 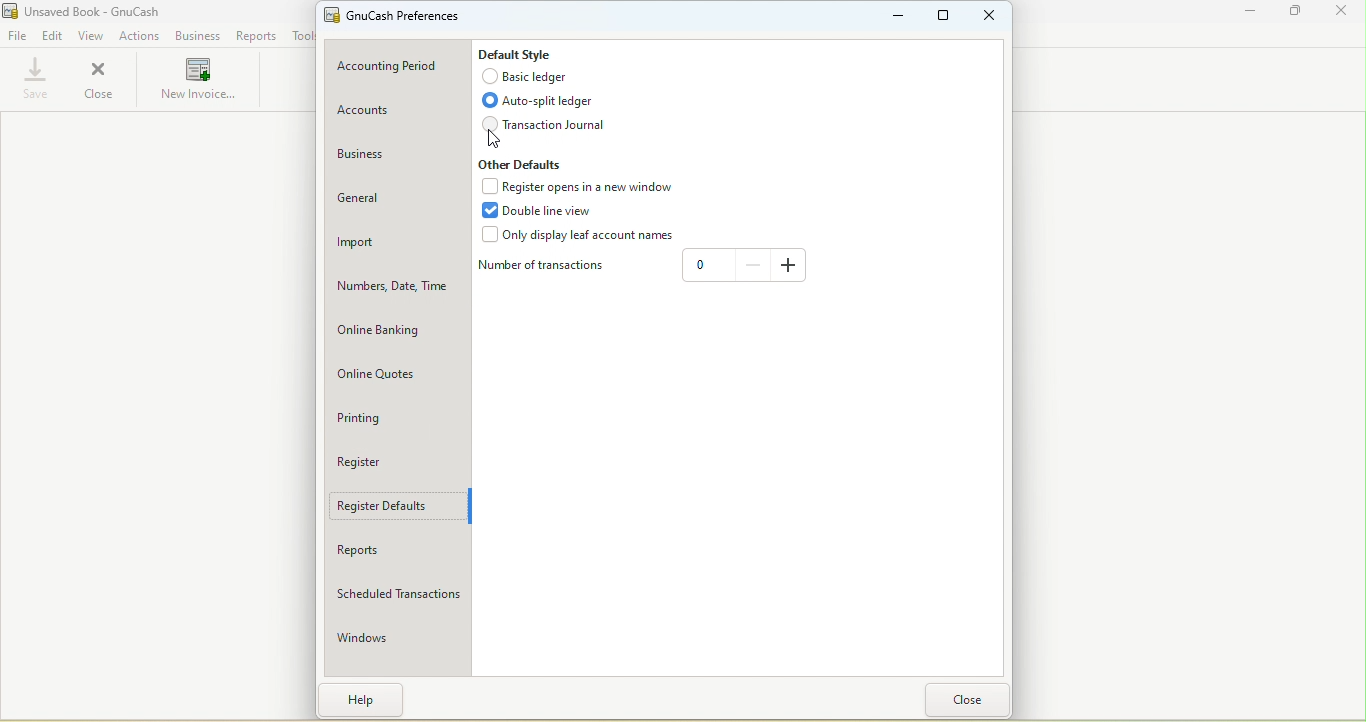 What do you see at coordinates (399, 467) in the screenshot?
I see `Register` at bounding box center [399, 467].